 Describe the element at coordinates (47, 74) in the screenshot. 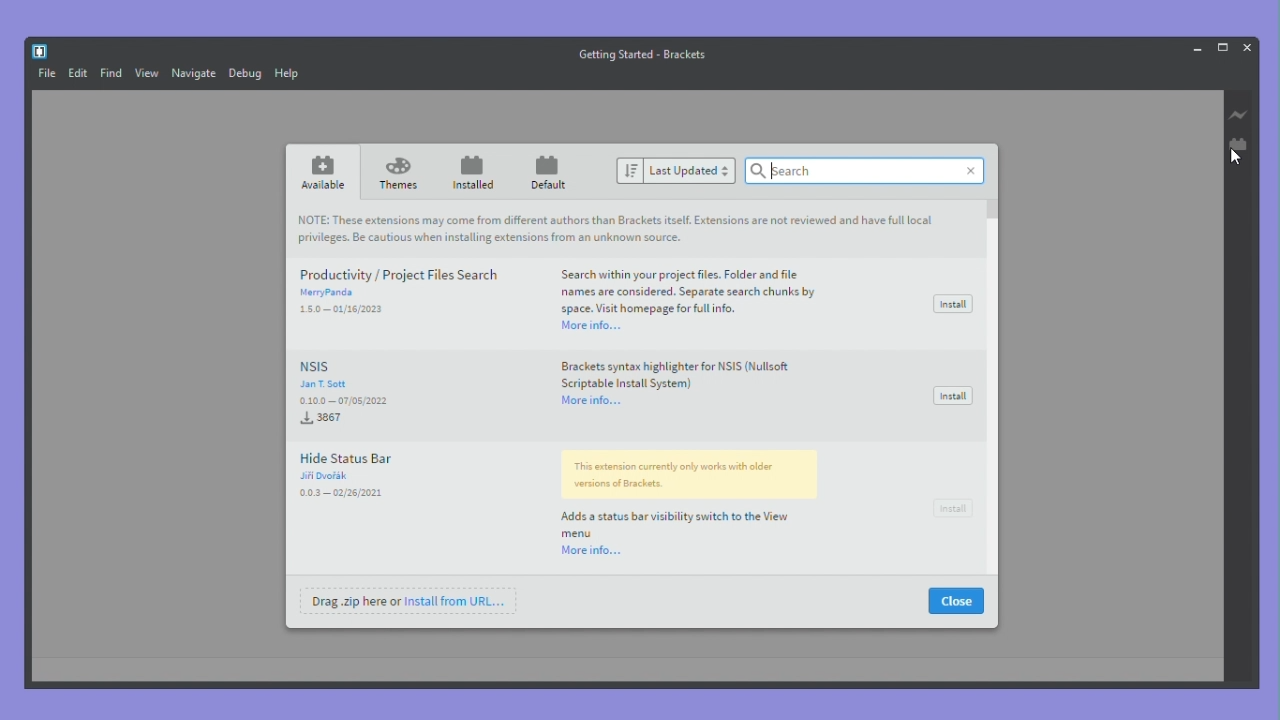

I see `` at that location.